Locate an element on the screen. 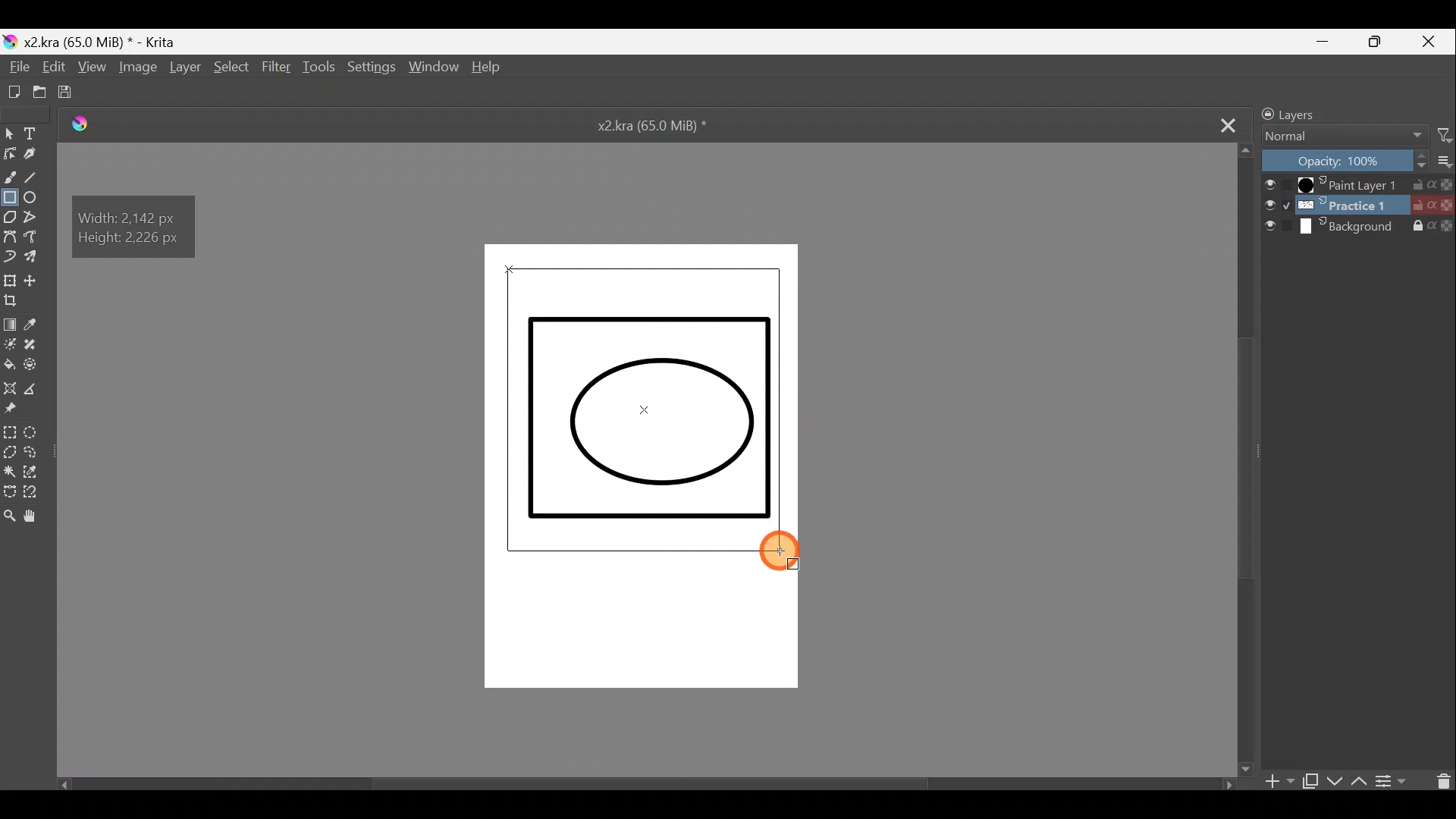  Pan tool is located at coordinates (36, 514).